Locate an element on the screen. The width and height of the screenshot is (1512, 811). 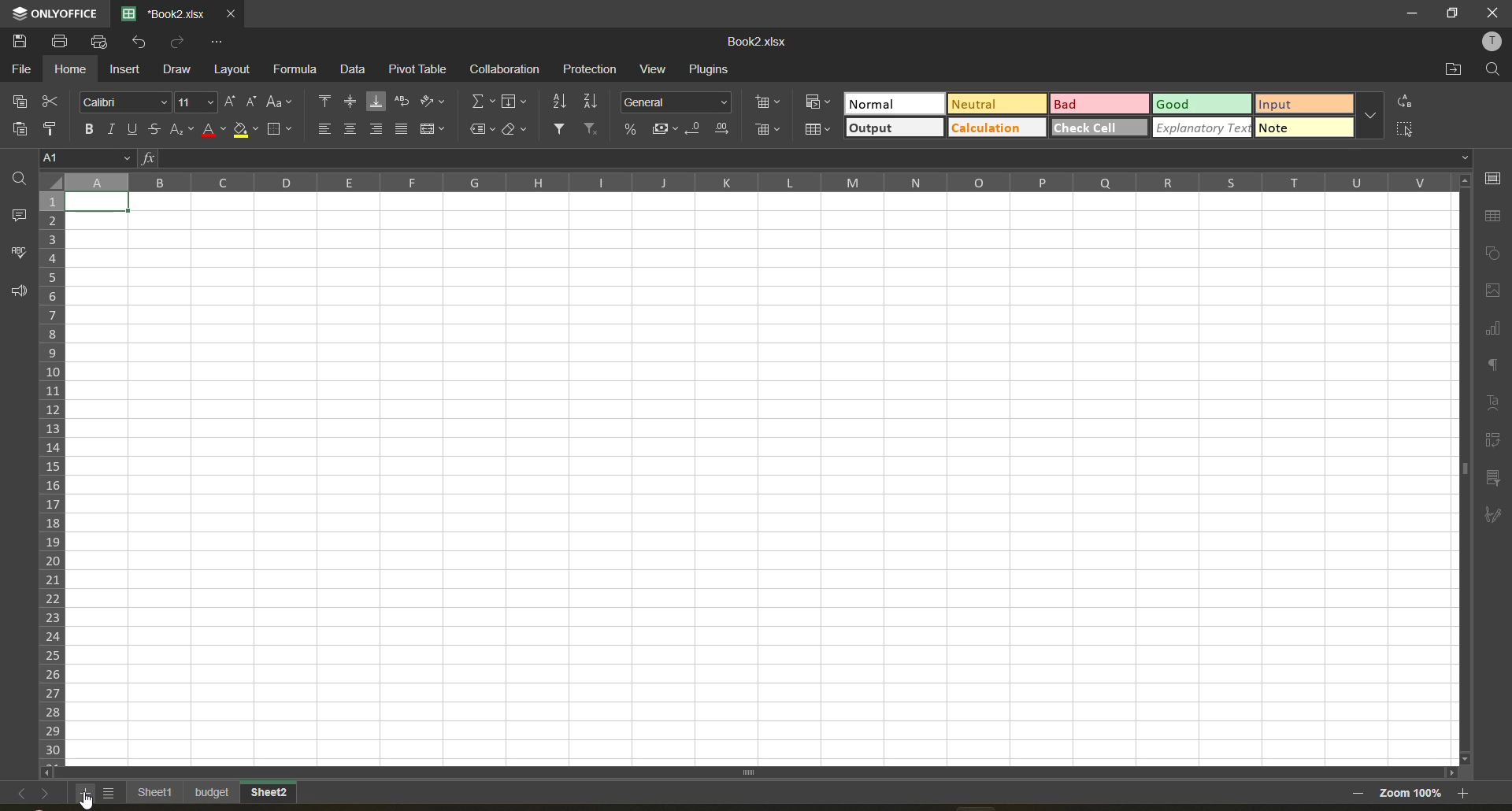
text is located at coordinates (1495, 405).